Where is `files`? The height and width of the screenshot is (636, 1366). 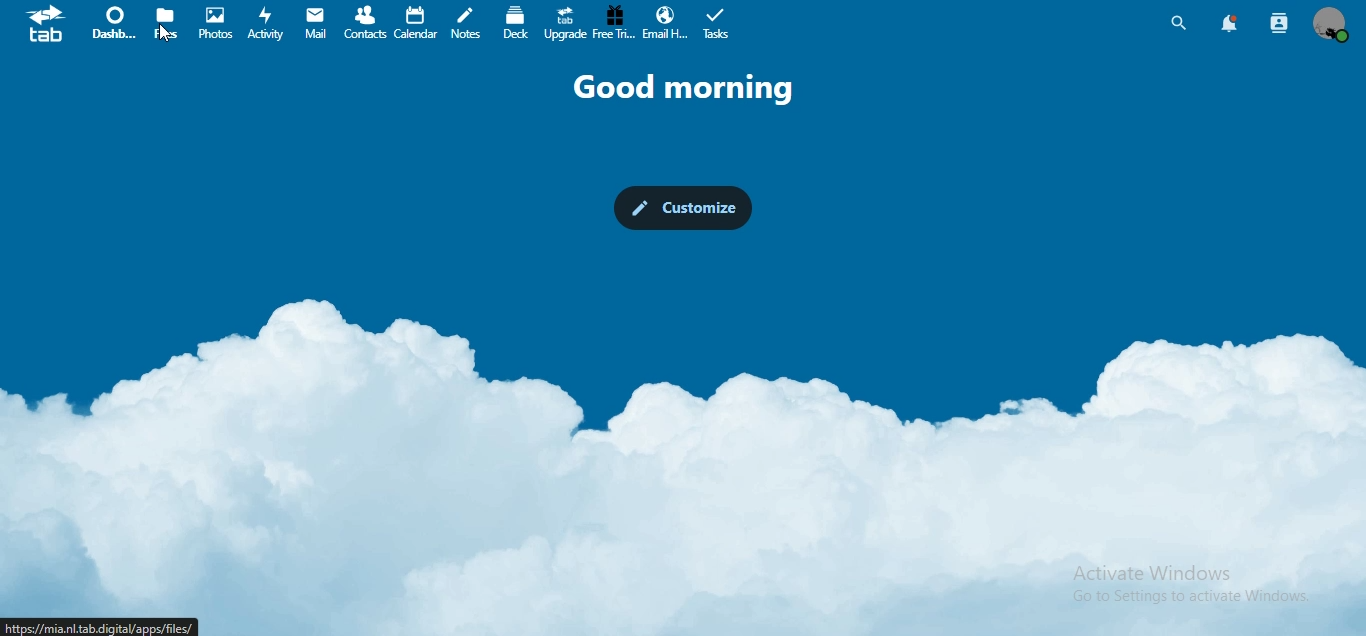
files is located at coordinates (168, 22).